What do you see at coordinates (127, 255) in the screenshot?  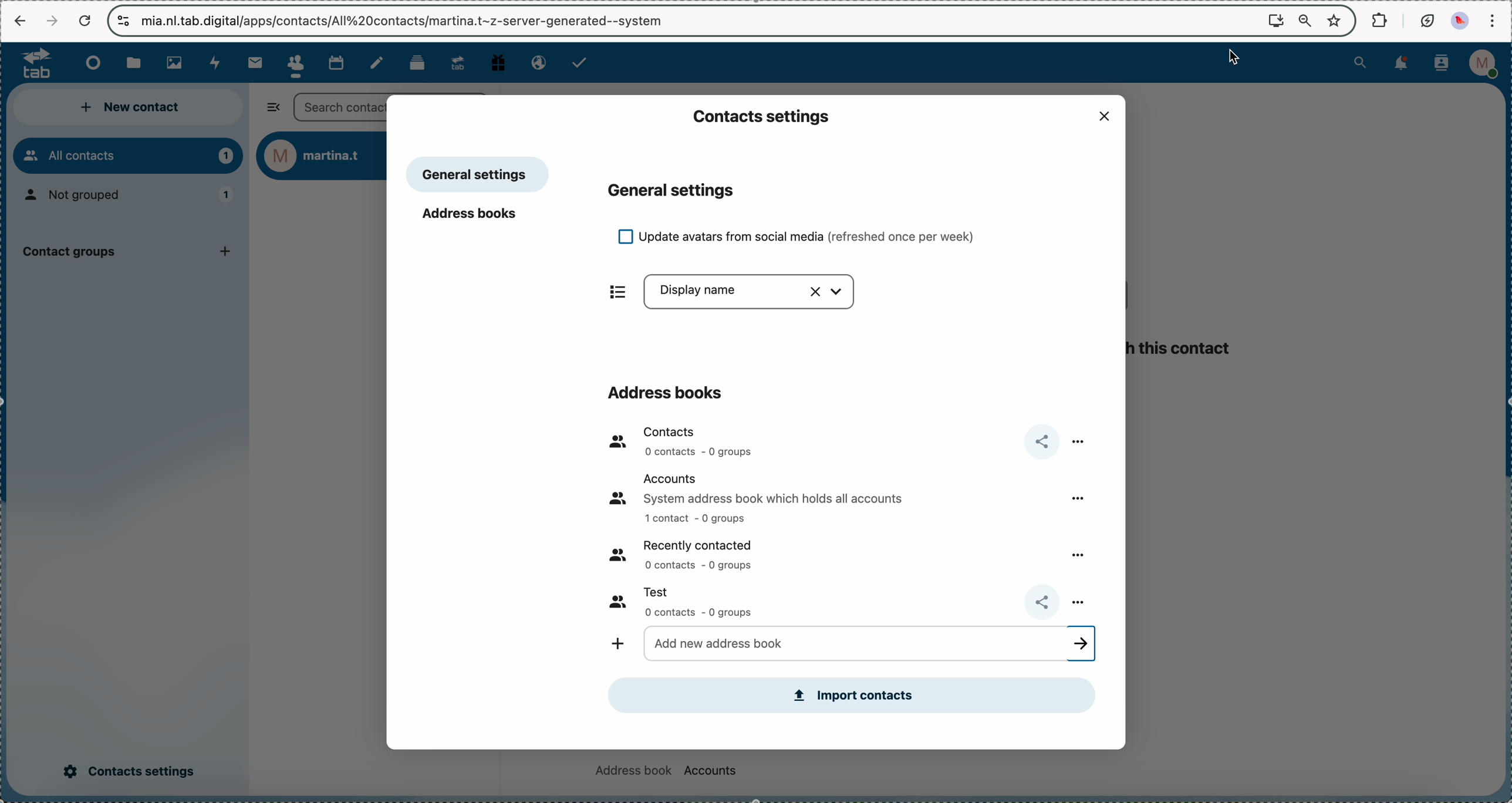 I see `contact group` at bounding box center [127, 255].